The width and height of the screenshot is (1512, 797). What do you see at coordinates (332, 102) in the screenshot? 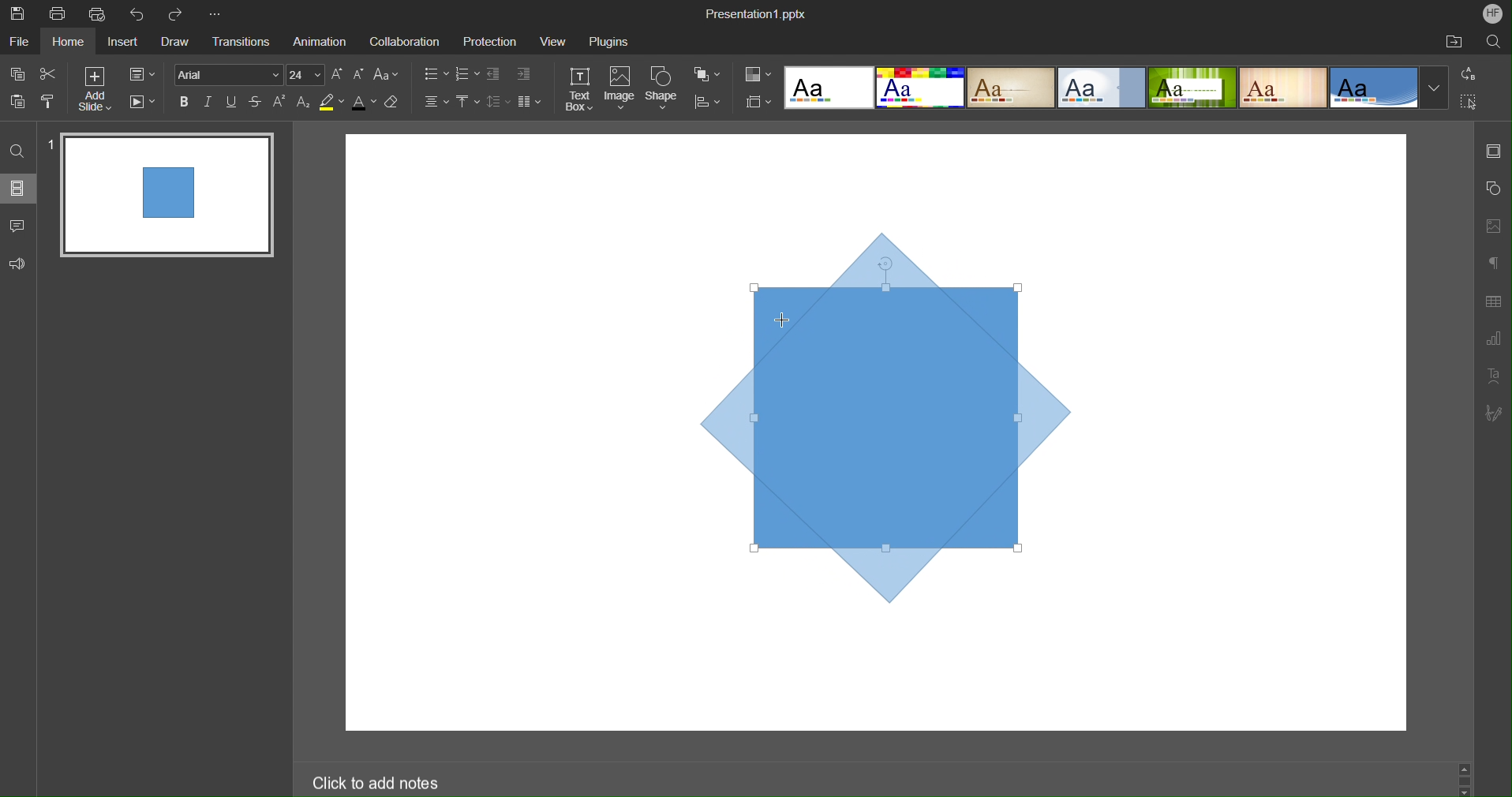
I see `Highlight` at bounding box center [332, 102].